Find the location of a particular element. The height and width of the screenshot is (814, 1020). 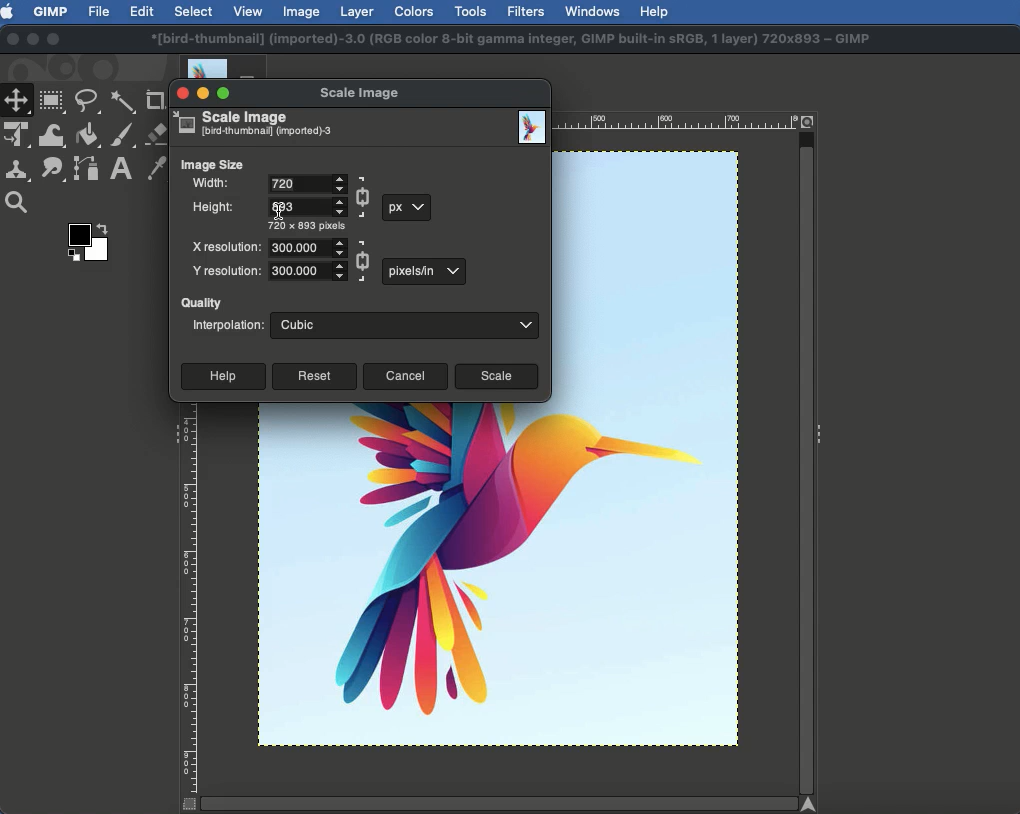

Numeral is located at coordinates (309, 248).